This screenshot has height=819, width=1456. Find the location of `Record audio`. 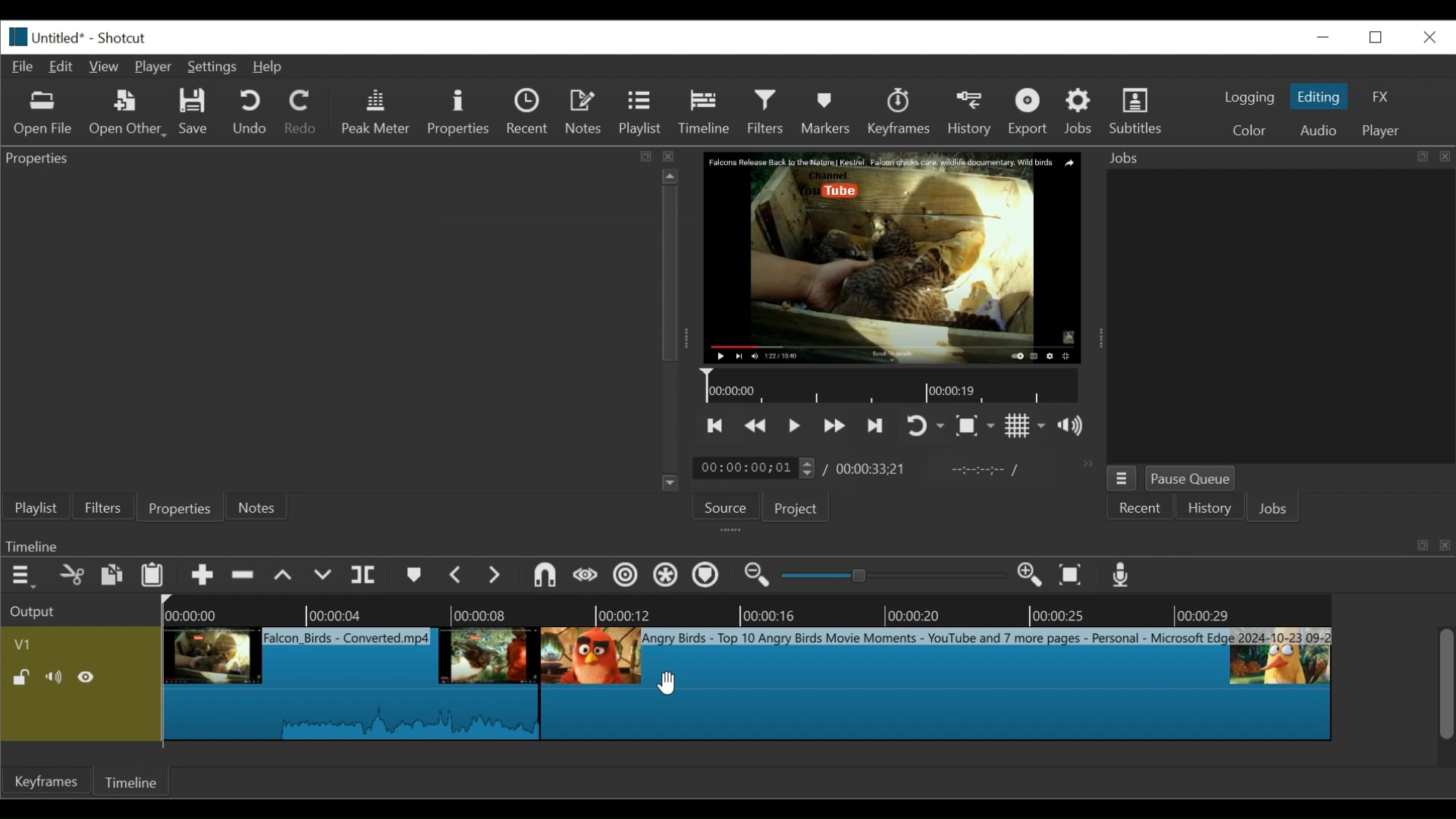

Record audio is located at coordinates (1119, 574).